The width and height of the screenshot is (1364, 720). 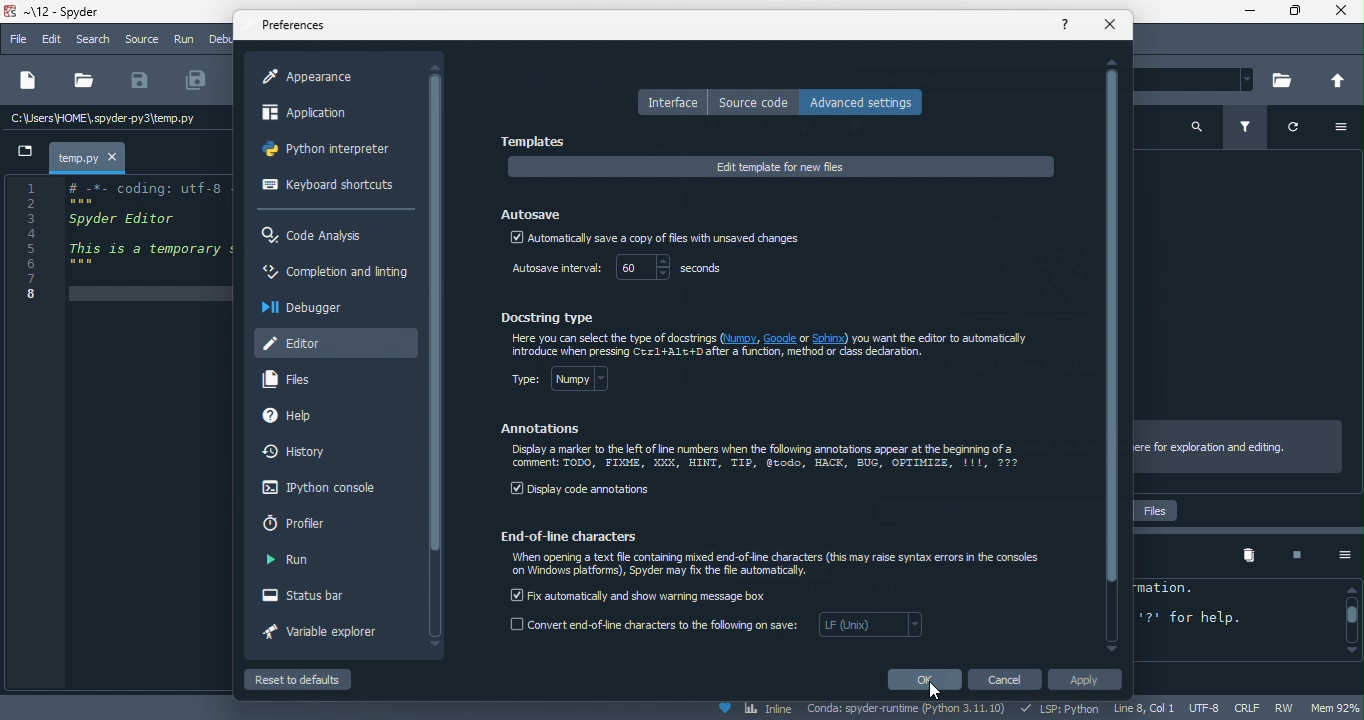 What do you see at coordinates (767, 458) in the screenshot?
I see `text annotations` at bounding box center [767, 458].